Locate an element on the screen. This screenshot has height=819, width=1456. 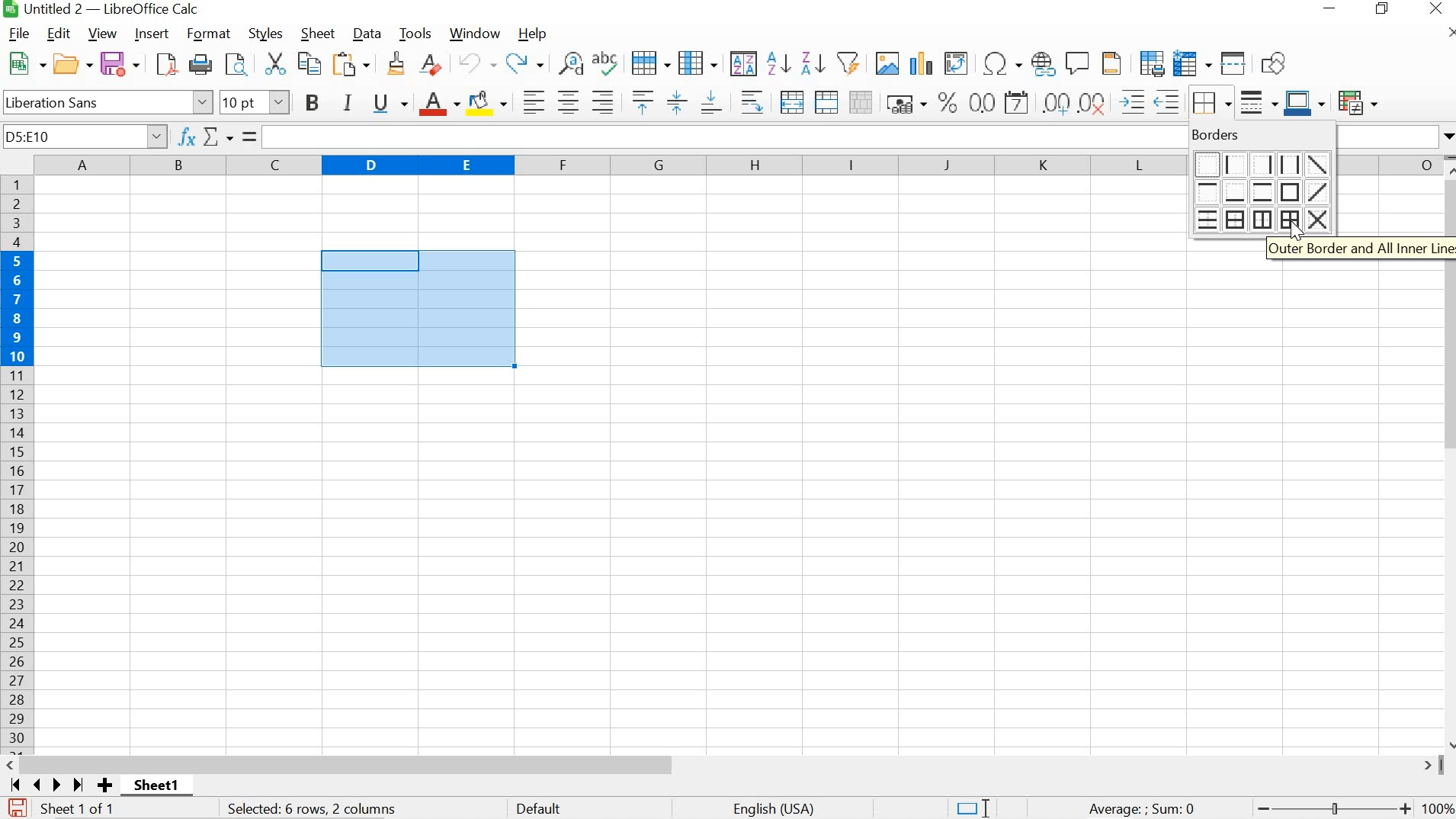
BOLD is located at coordinates (309, 101).